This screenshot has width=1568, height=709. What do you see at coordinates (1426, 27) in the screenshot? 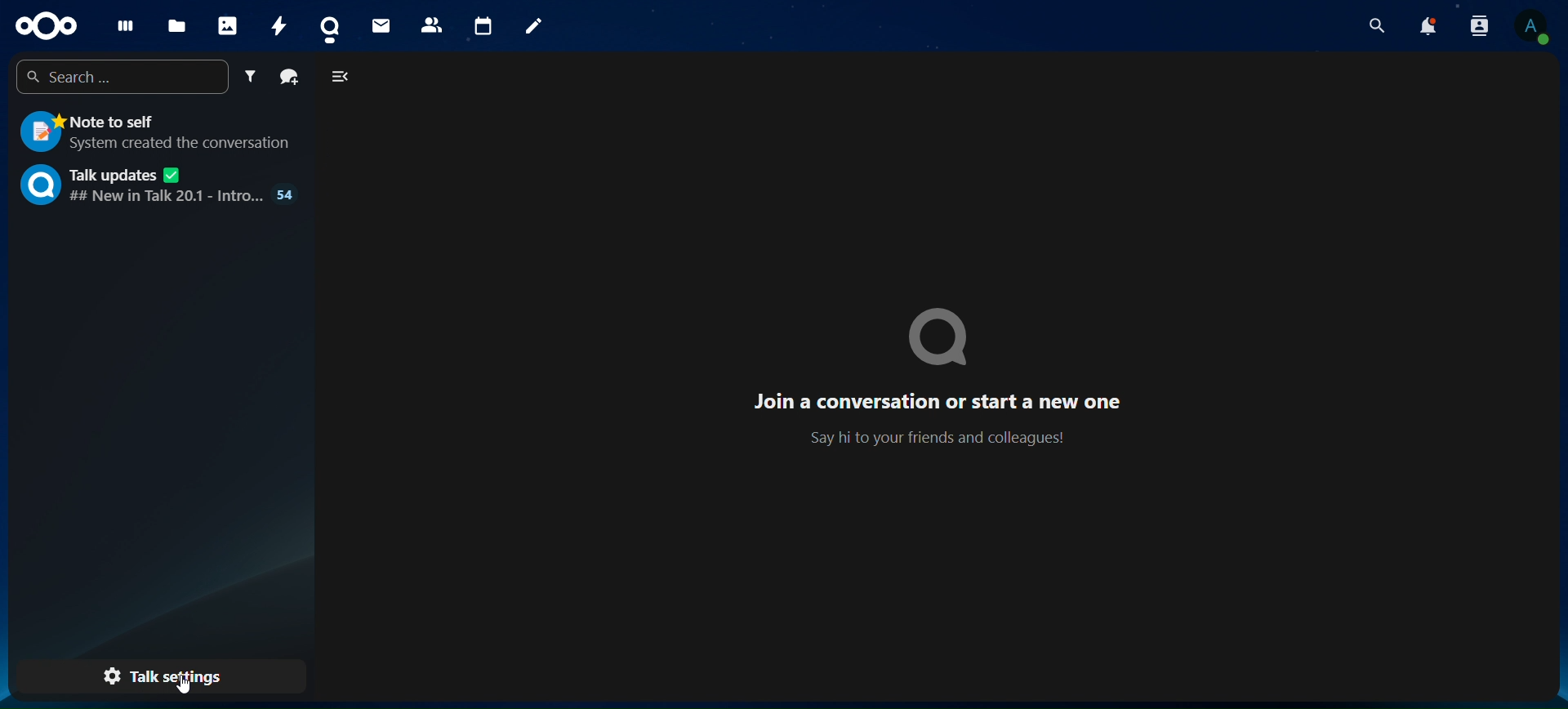
I see `notifications` at bounding box center [1426, 27].